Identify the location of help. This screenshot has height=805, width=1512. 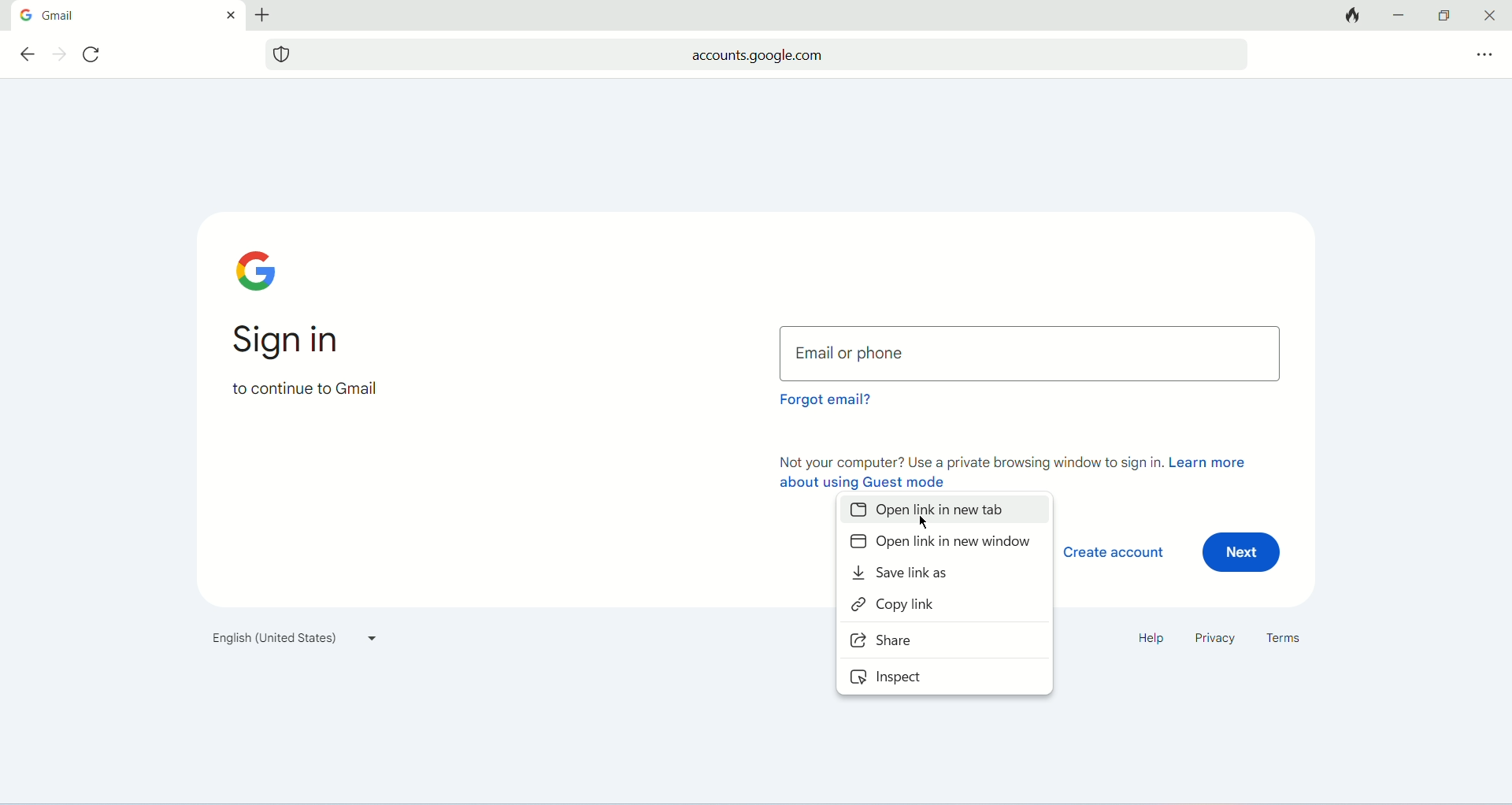
(1147, 639).